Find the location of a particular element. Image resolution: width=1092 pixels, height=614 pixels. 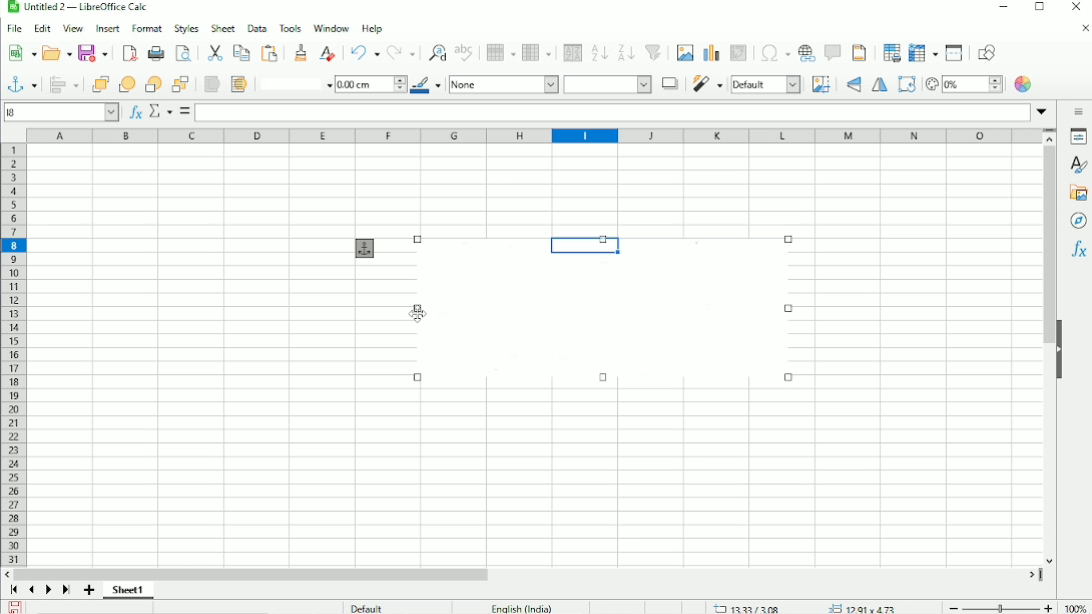

Row headings is located at coordinates (12, 354).